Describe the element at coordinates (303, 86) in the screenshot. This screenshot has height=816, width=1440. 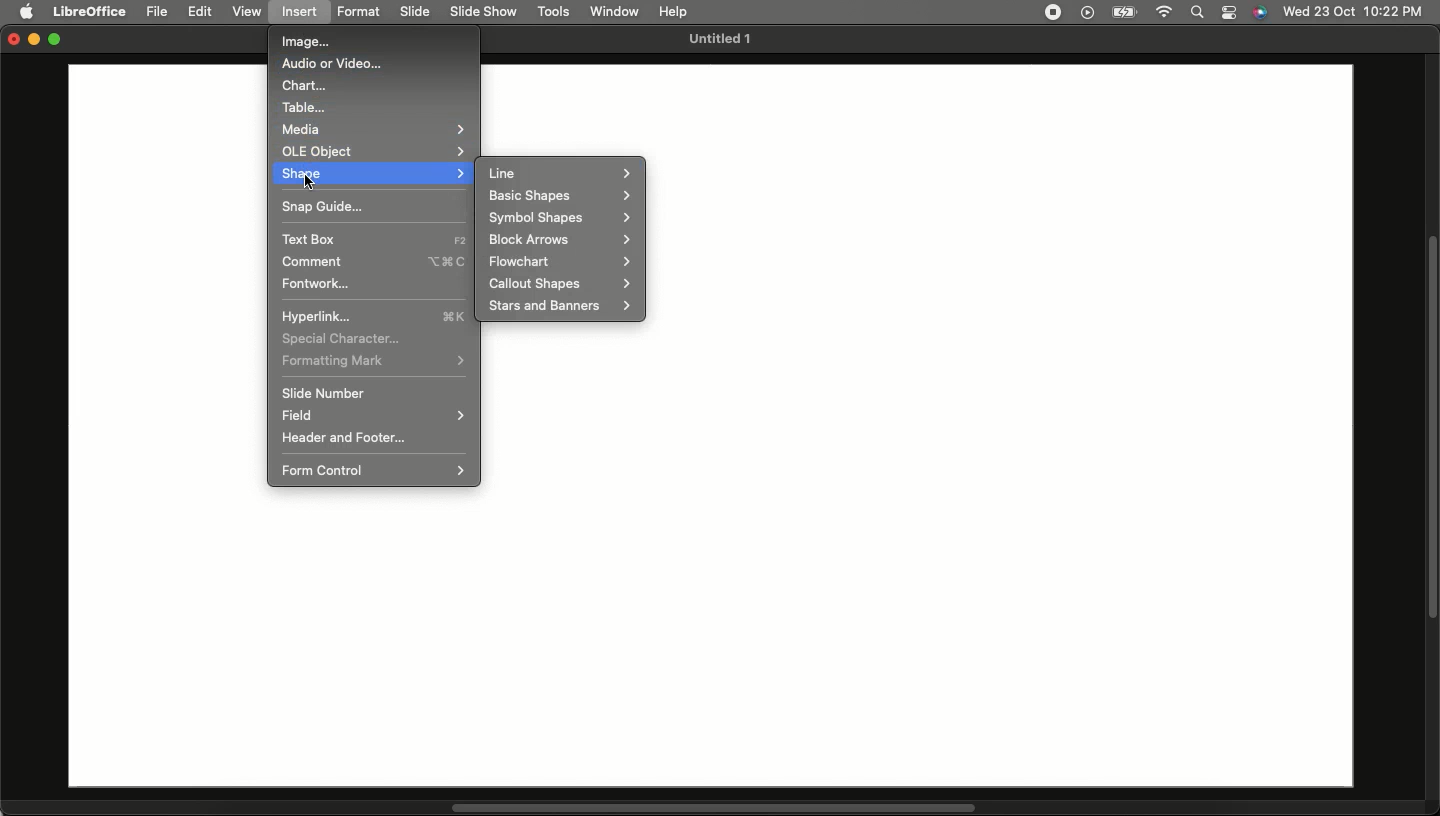
I see `Chart` at that location.